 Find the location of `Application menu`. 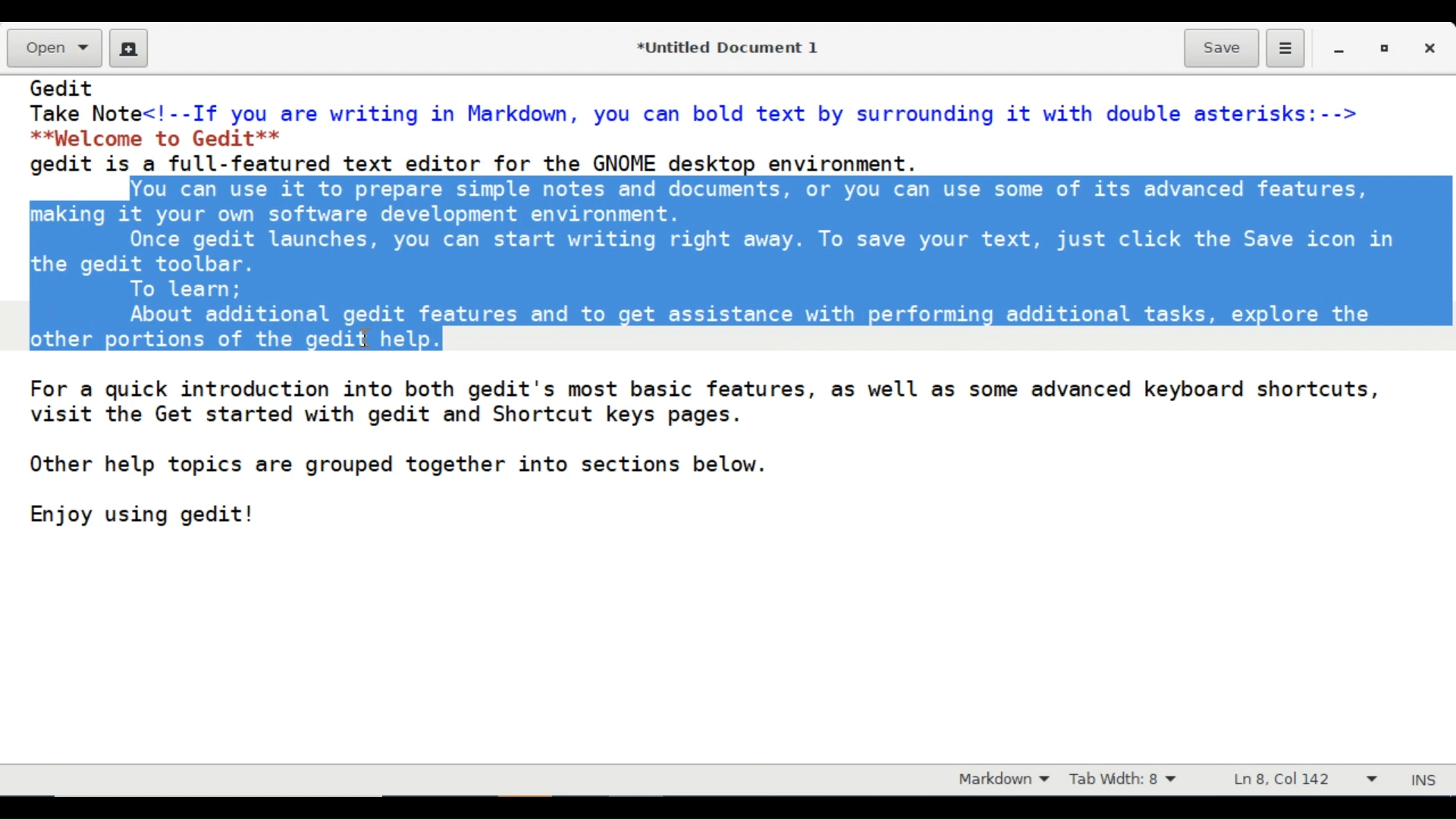

Application menu is located at coordinates (1285, 49).